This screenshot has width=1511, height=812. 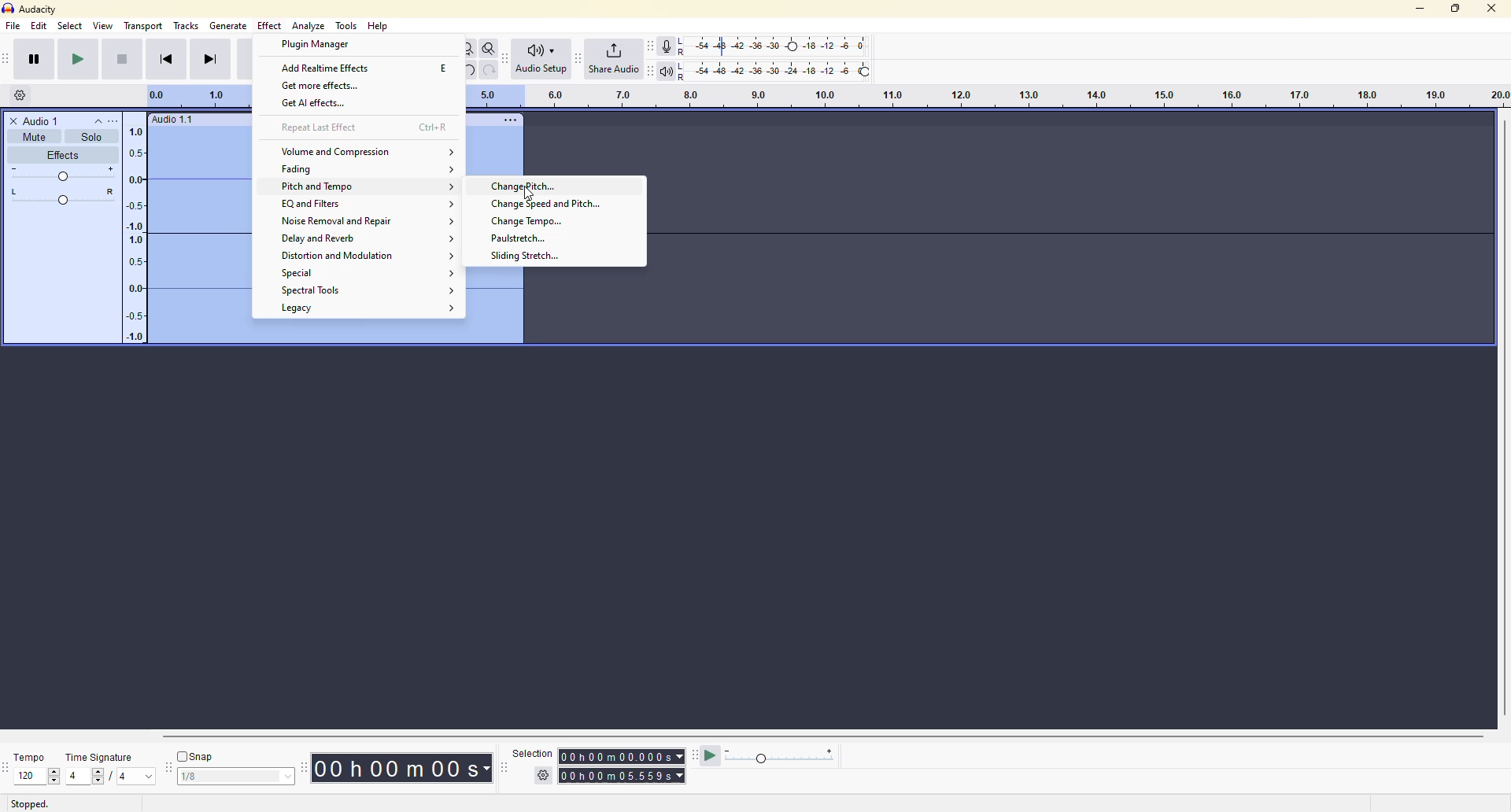 I want to click on change pitch, so click(x=526, y=186).